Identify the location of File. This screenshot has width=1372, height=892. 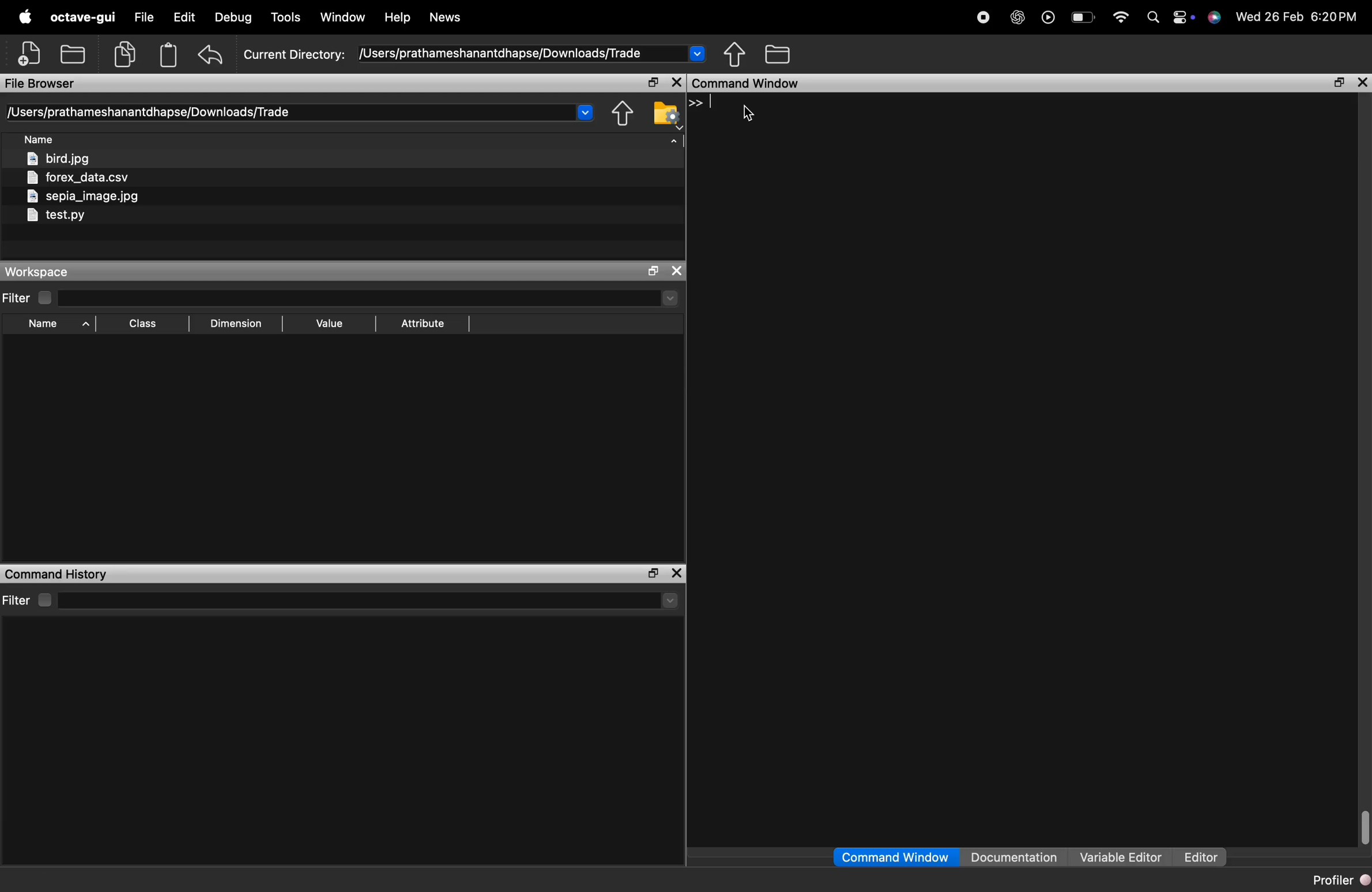
(144, 16).